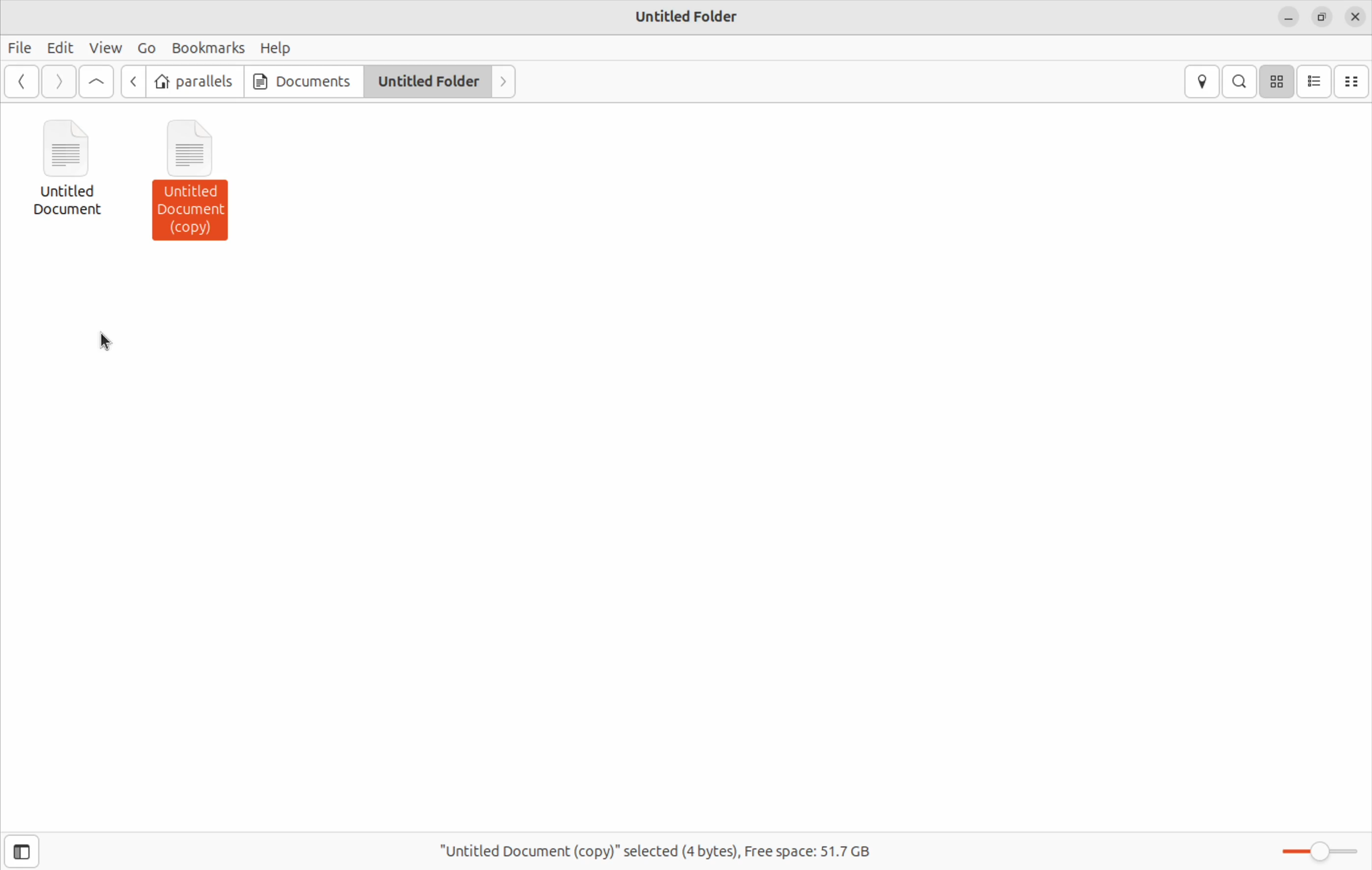 This screenshot has height=870, width=1372. What do you see at coordinates (98, 83) in the screenshot?
I see `Go up` at bounding box center [98, 83].